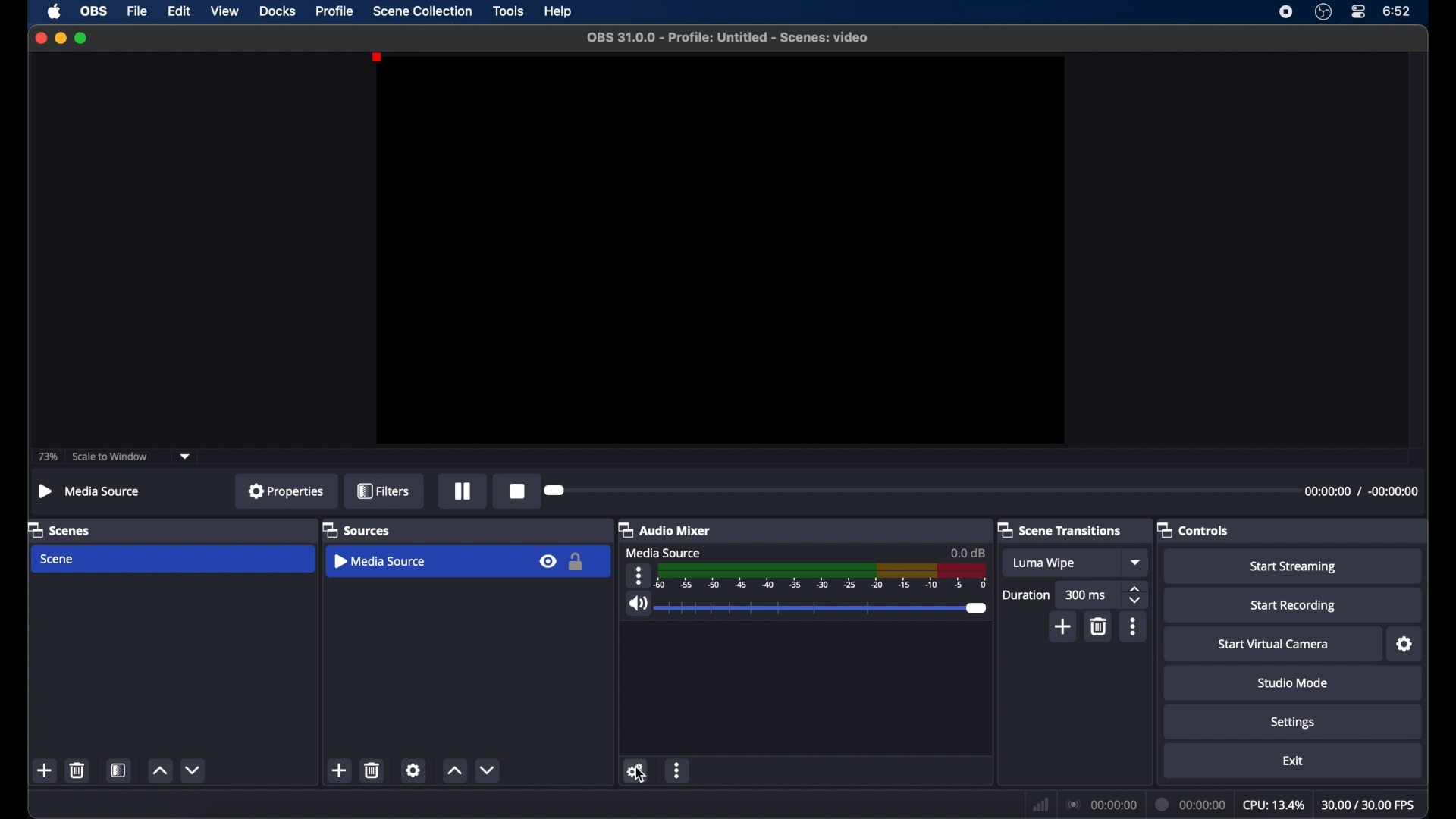  Describe the element at coordinates (89, 491) in the screenshot. I see `mediasource` at that location.